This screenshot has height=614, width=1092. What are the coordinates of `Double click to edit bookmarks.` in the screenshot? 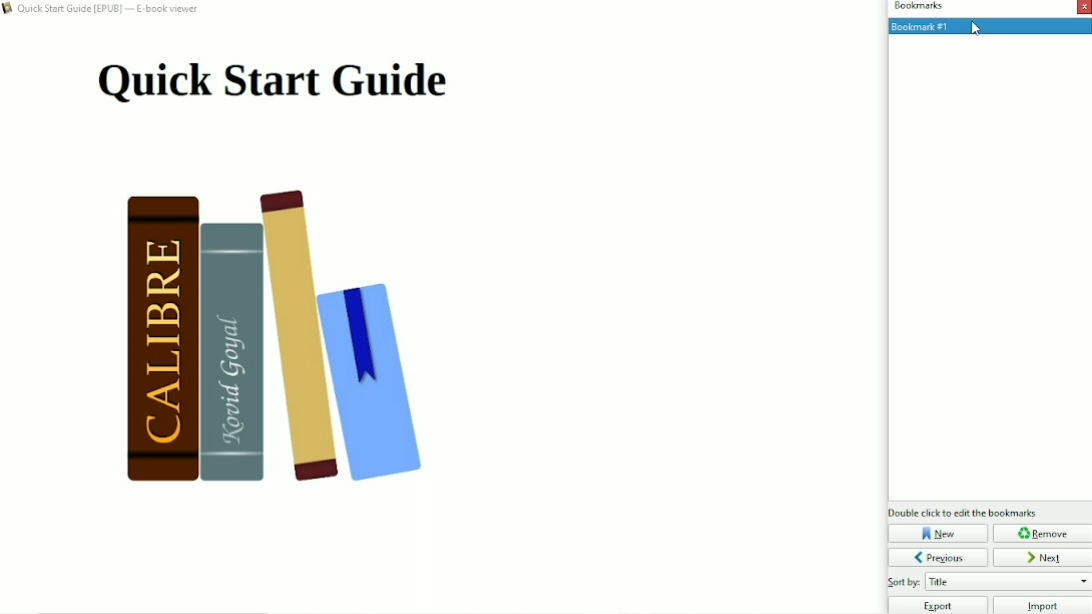 It's located at (965, 513).